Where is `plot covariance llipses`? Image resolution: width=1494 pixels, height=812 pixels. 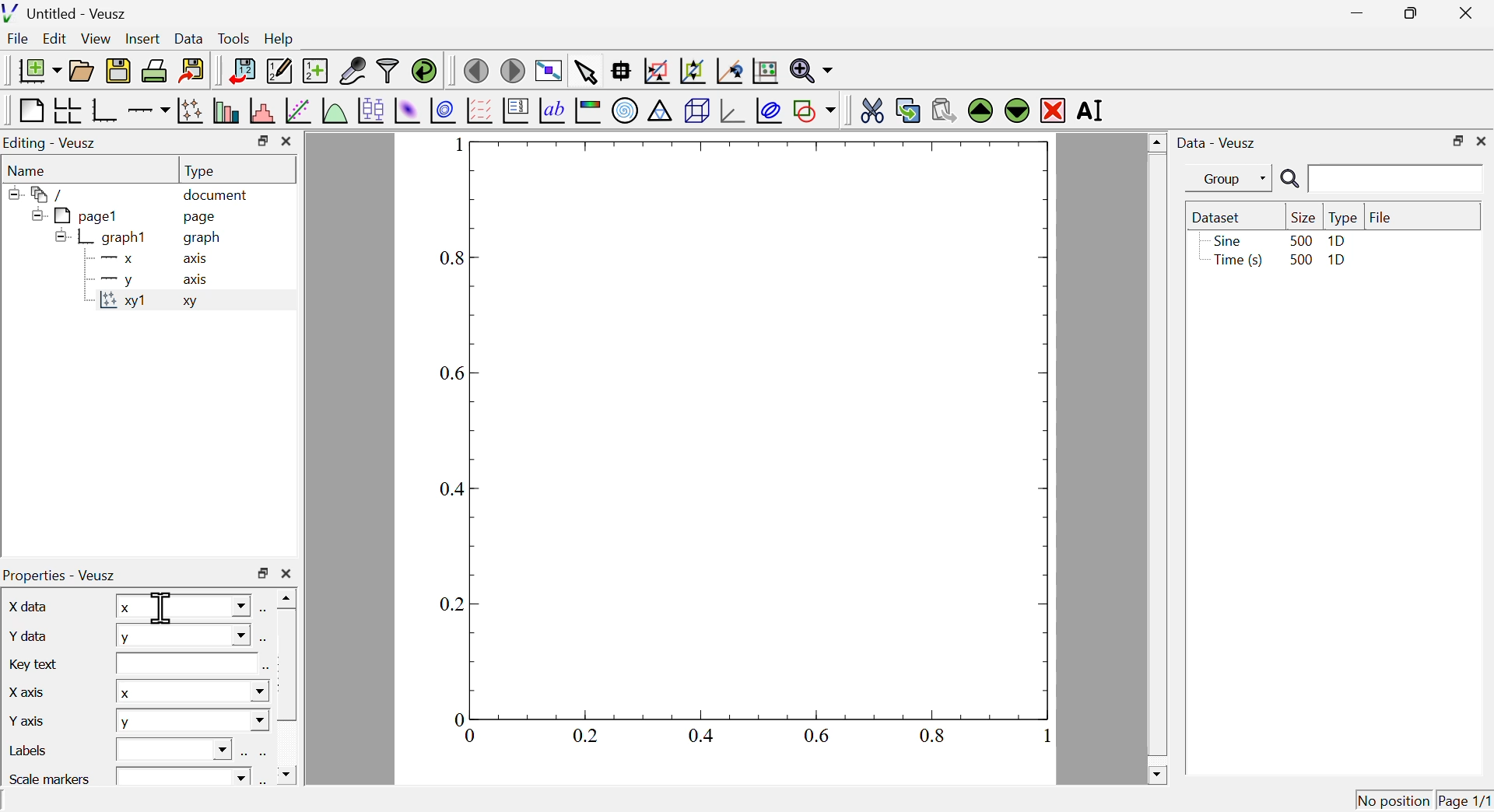
plot covariance llipses is located at coordinates (771, 110).